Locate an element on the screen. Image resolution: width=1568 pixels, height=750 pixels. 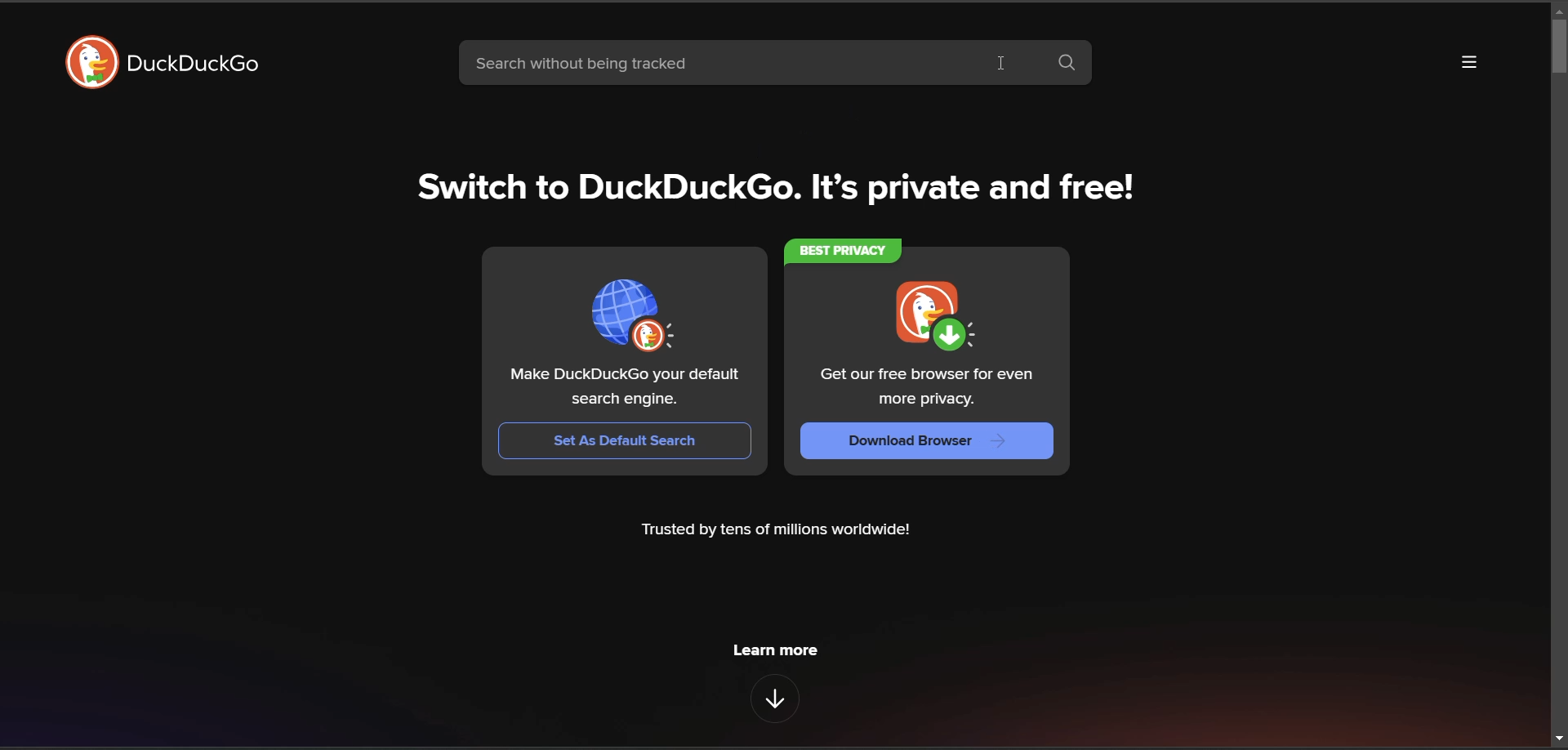
logo is located at coordinates (934, 314).